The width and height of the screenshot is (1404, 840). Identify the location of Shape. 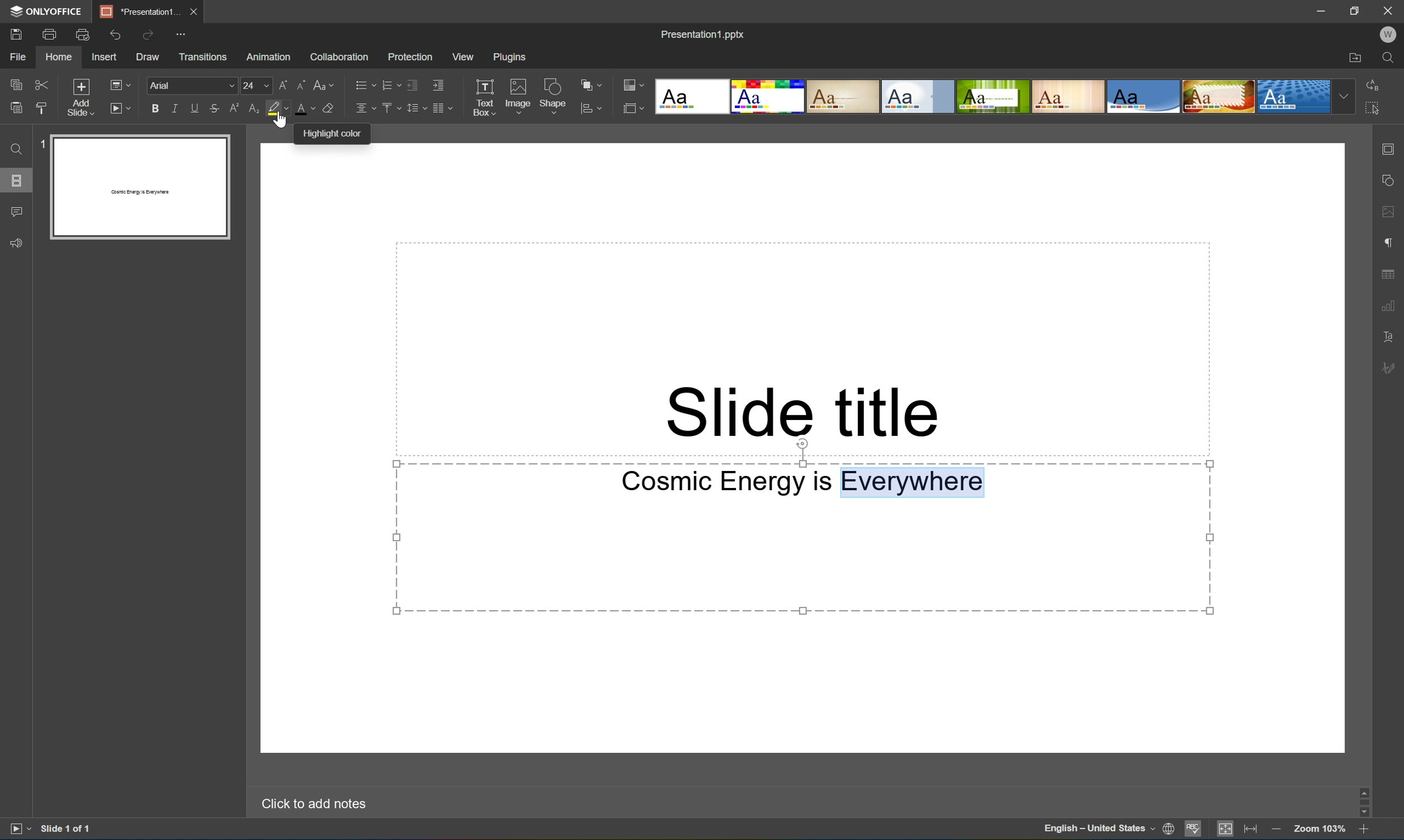
(553, 95).